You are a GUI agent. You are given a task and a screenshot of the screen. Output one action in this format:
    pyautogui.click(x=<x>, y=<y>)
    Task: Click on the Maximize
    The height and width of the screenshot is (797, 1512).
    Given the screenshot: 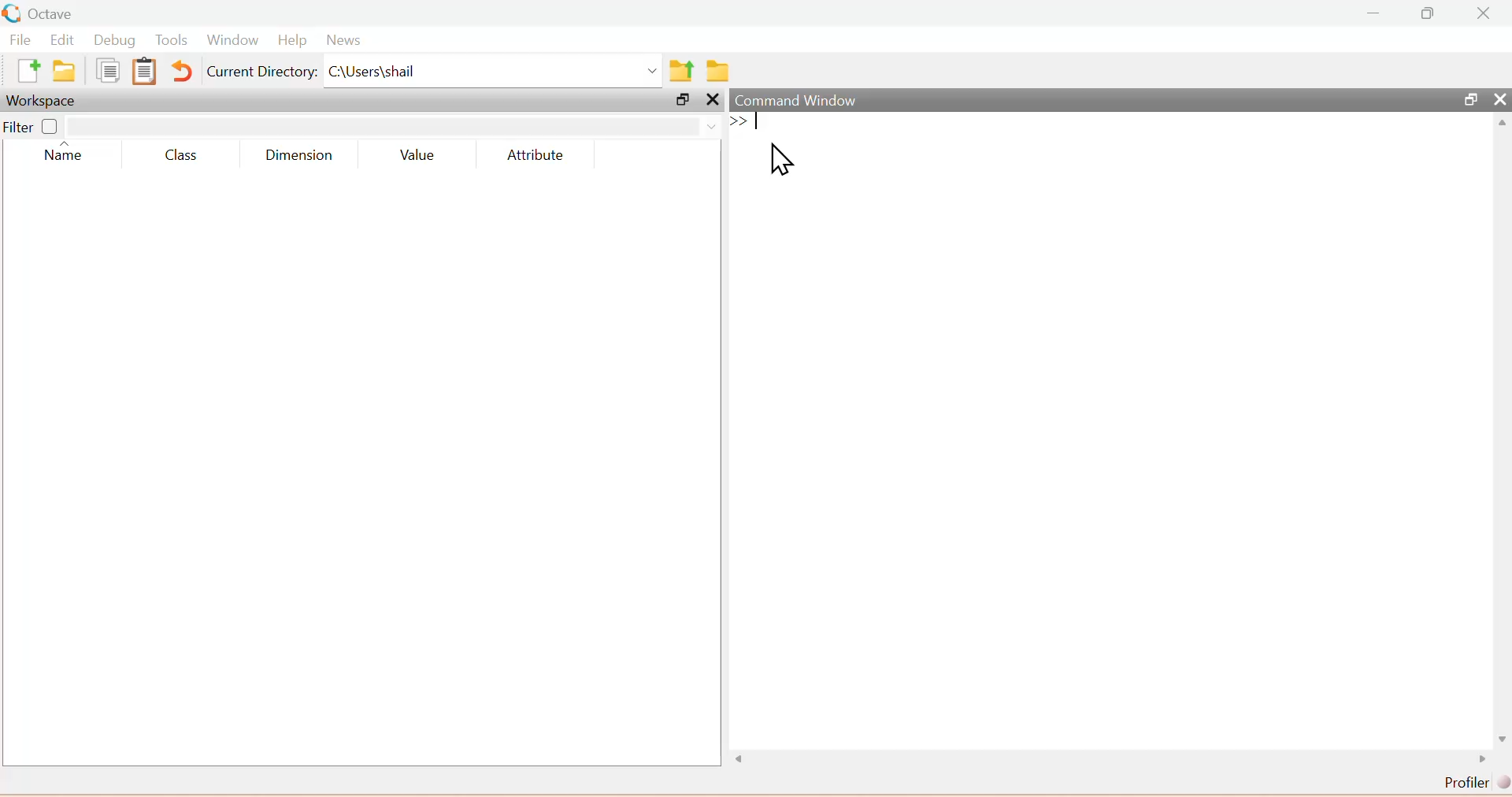 What is the action you would take?
    pyautogui.click(x=1468, y=99)
    